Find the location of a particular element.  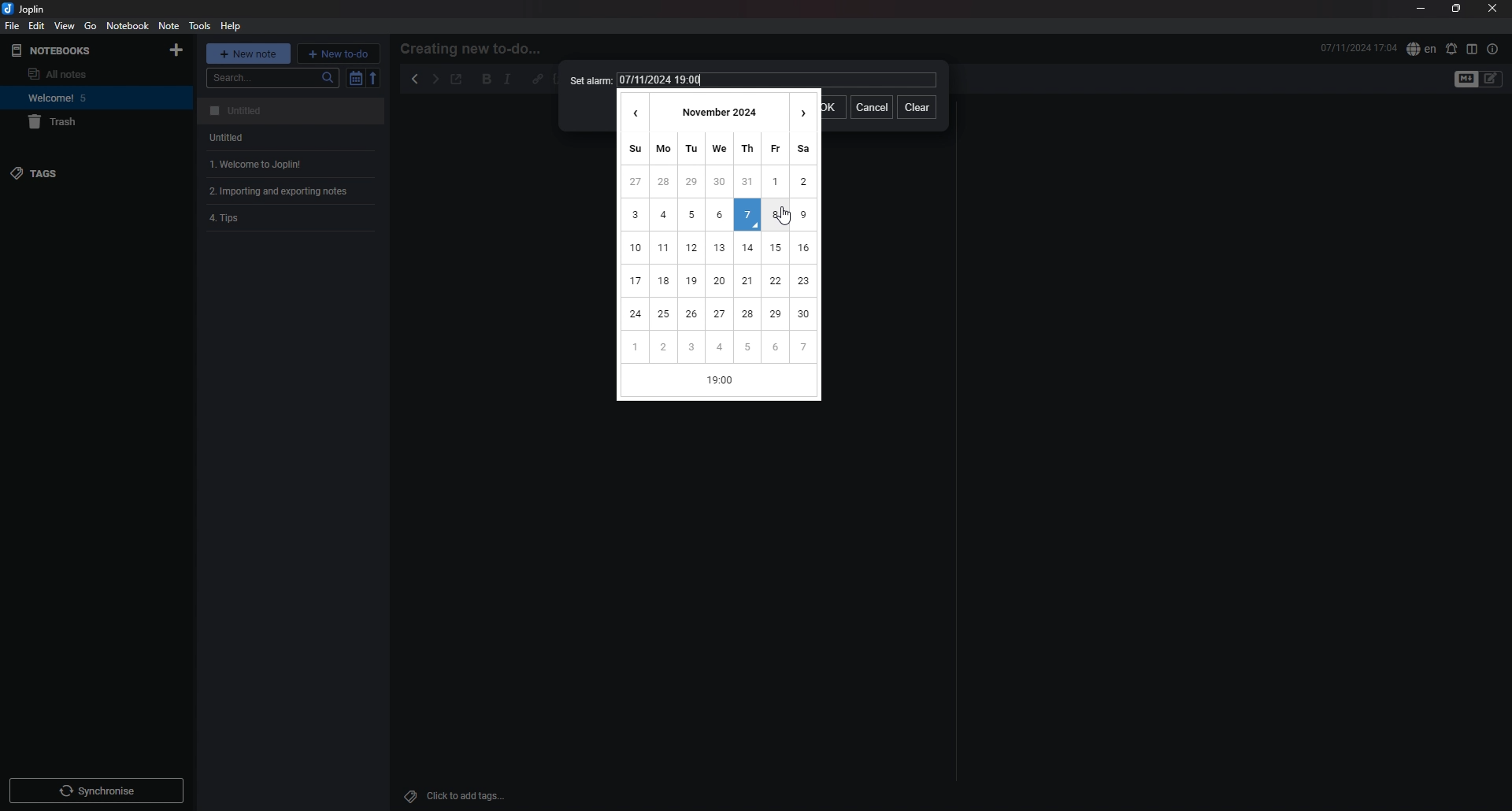

tools is located at coordinates (199, 26).